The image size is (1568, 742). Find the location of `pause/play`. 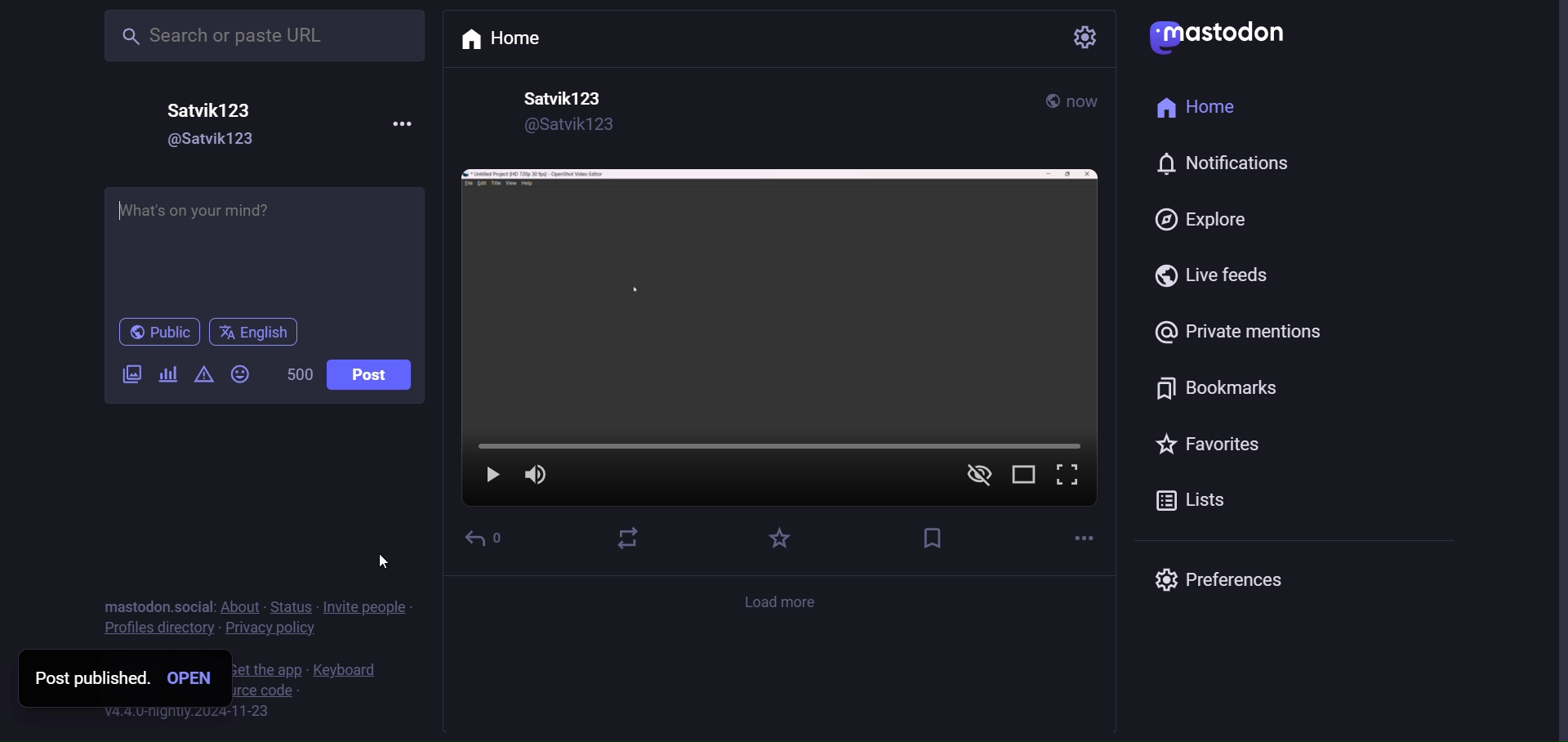

pause/play is located at coordinates (491, 478).